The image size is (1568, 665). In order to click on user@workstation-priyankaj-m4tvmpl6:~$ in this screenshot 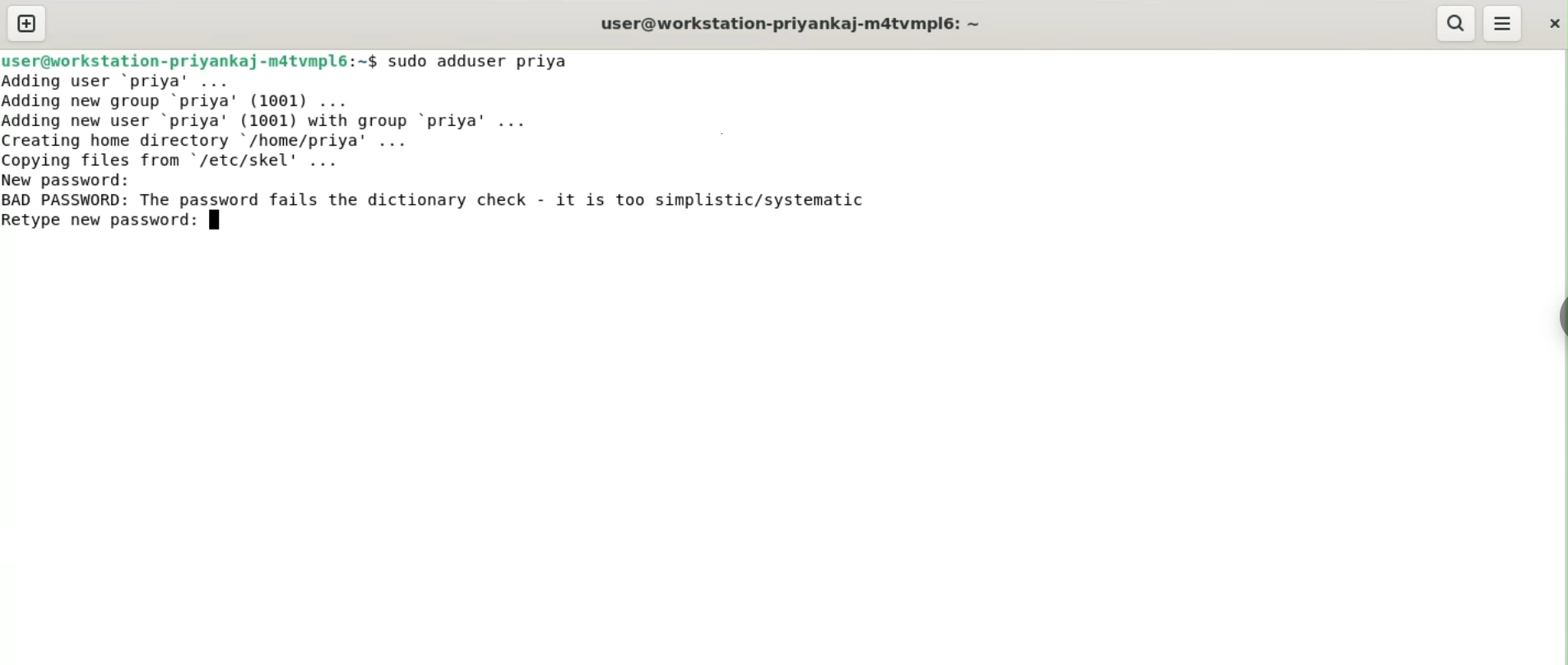, I will do `click(189, 58)`.